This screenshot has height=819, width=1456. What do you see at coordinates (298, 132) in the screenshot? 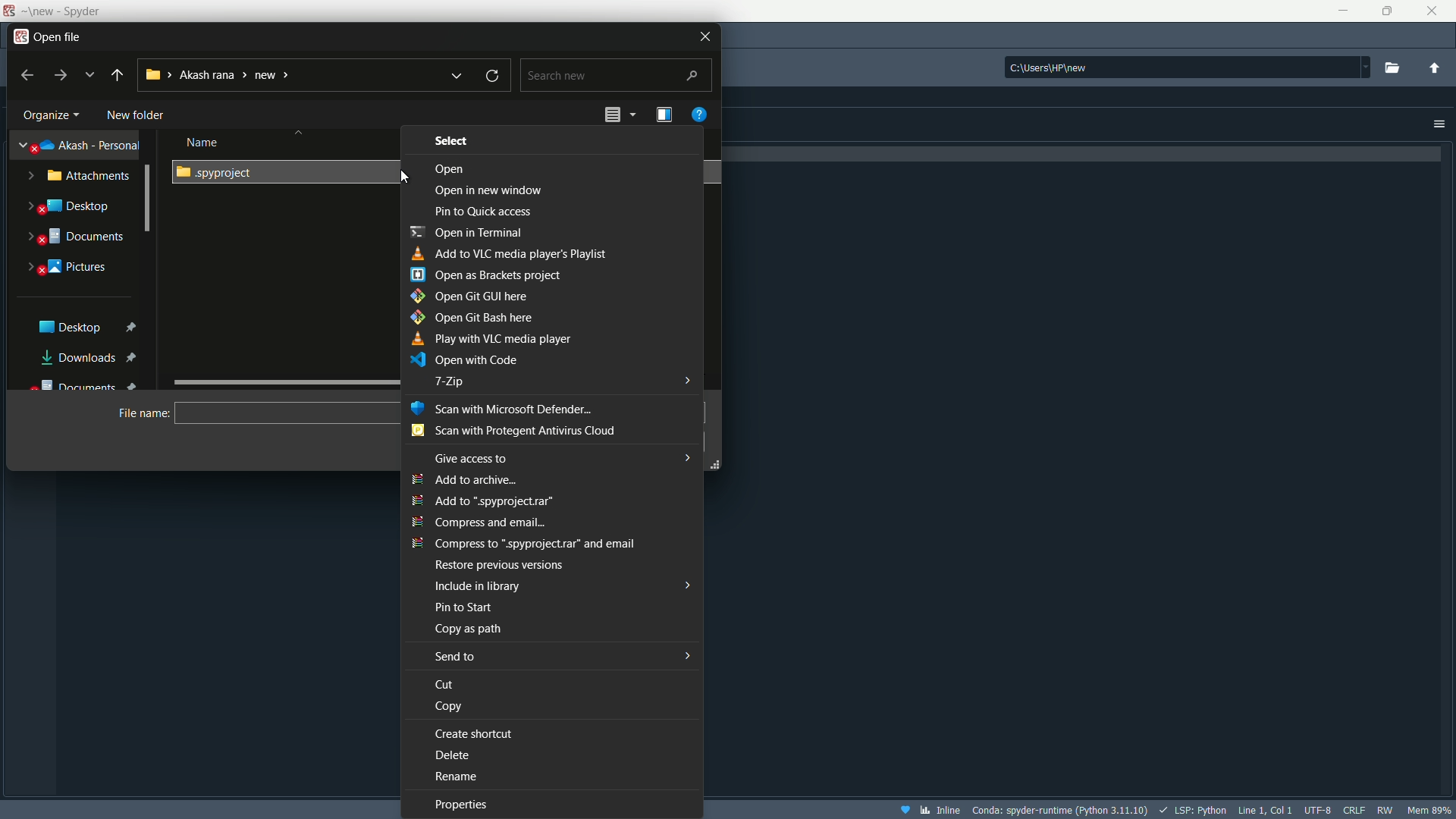
I see `Sort button` at bounding box center [298, 132].